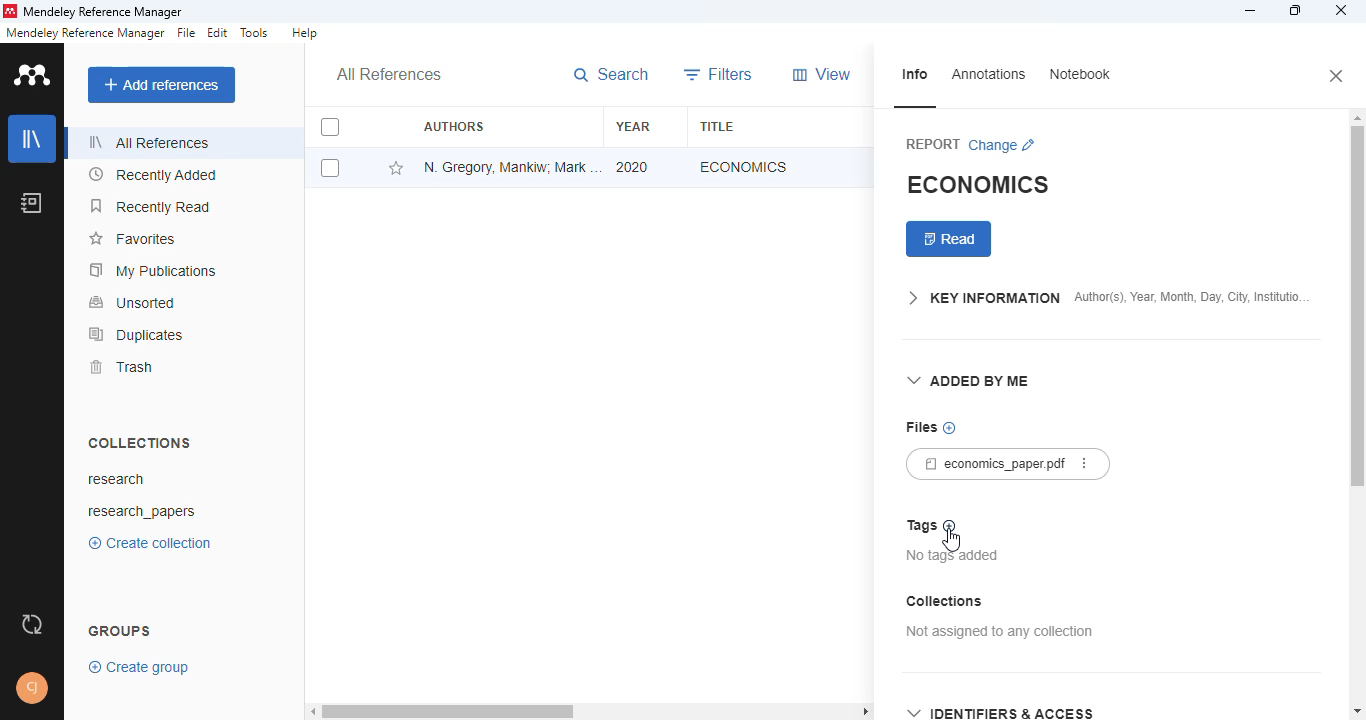 This screenshot has width=1366, height=720. I want to click on vertical scroll bar, so click(1356, 309).